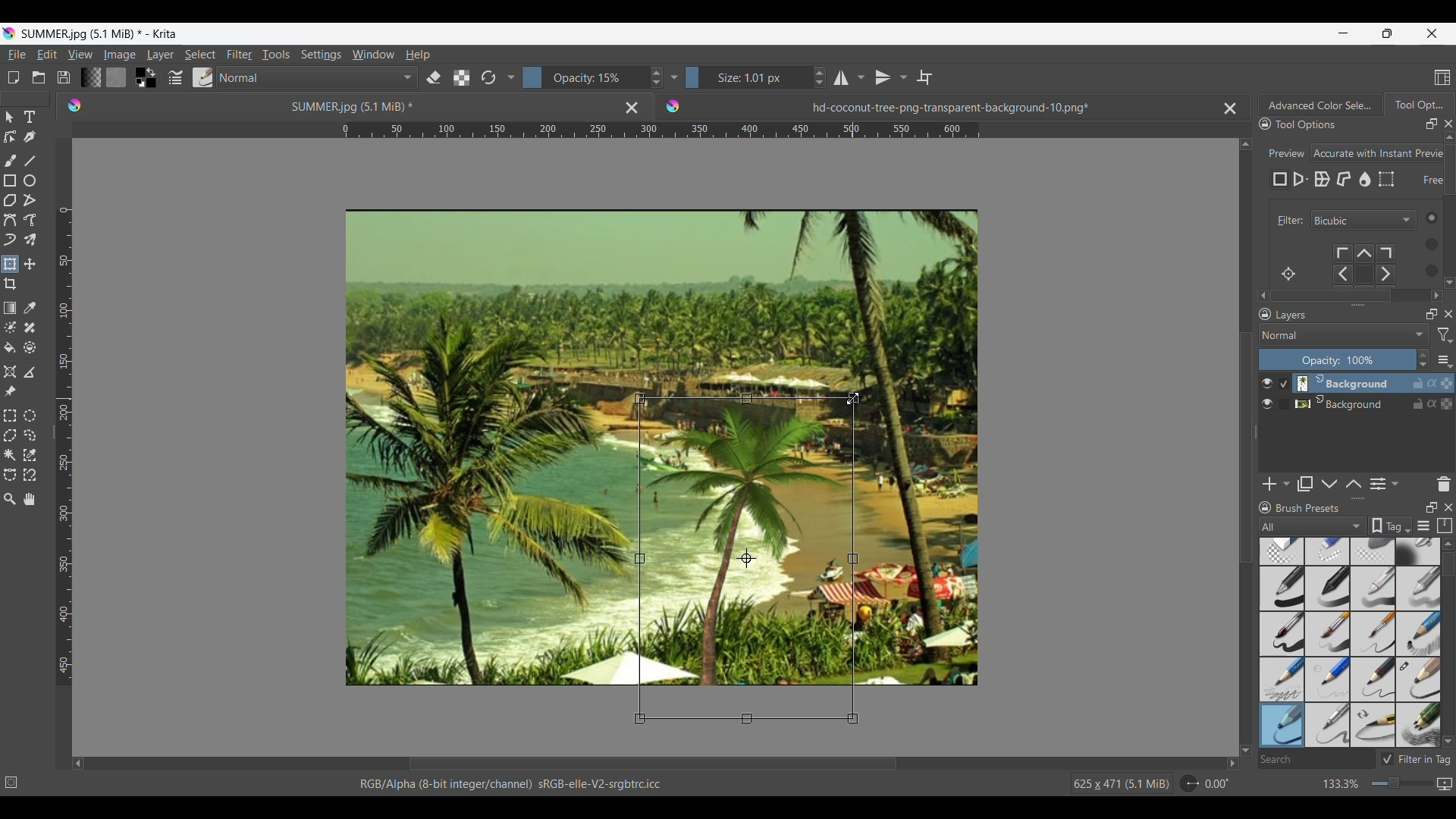  Describe the element at coordinates (1418, 551) in the screenshot. I see `airbrush soft` at that location.